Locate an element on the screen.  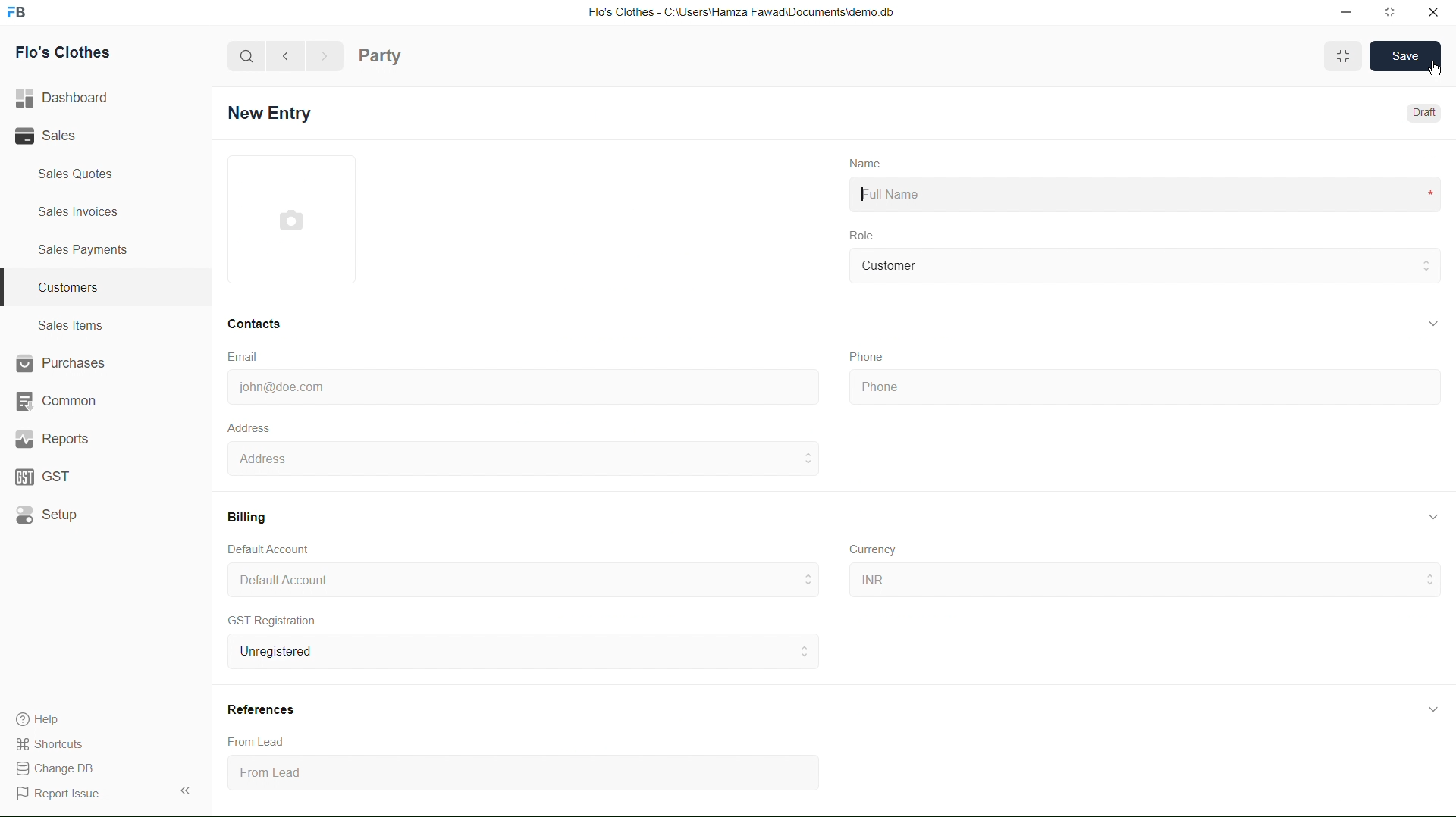
minimize is located at coordinates (1342, 14).